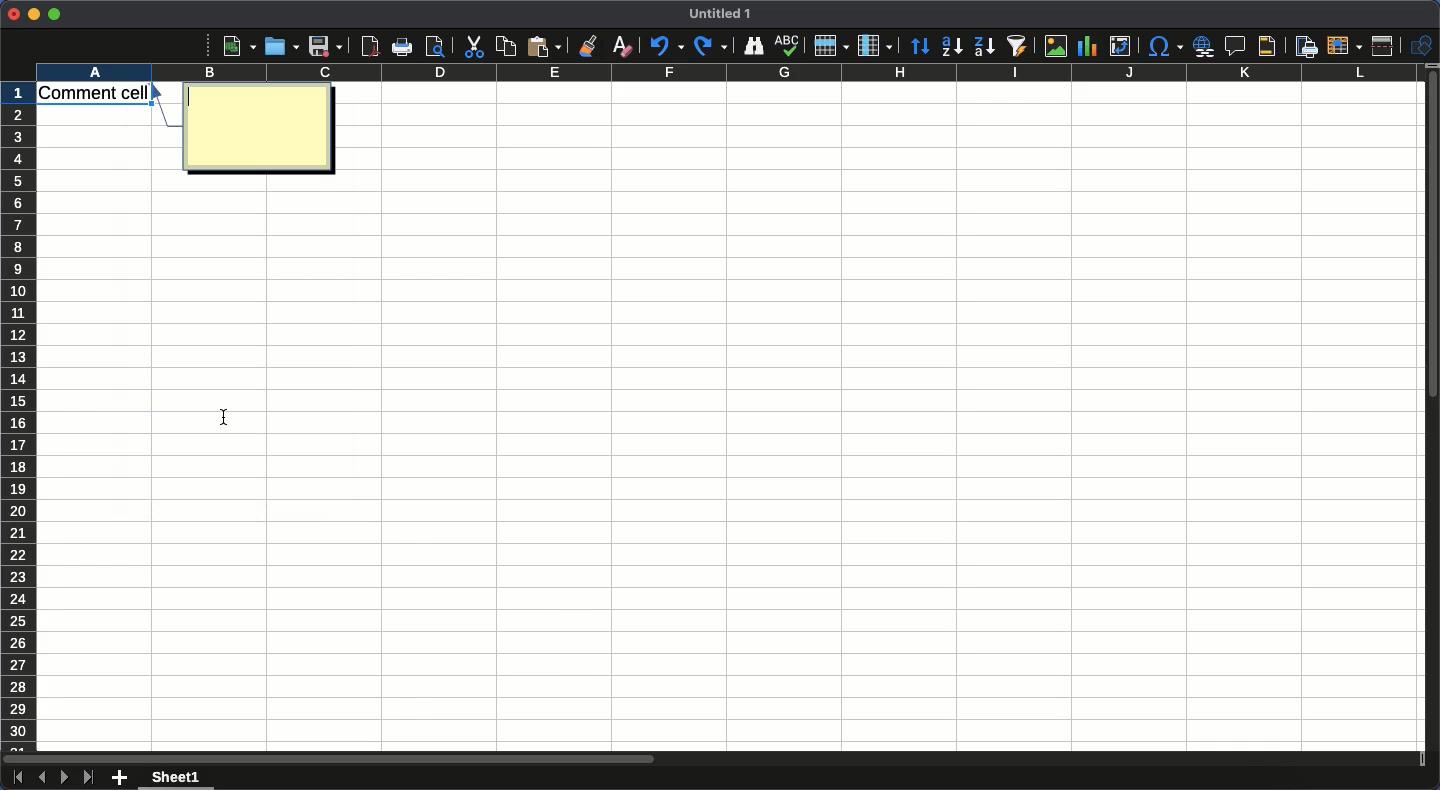 The height and width of the screenshot is (790, 1440). Describe the element at coordinates (507, 45) in the screenshot. I see `Copy` at that location.